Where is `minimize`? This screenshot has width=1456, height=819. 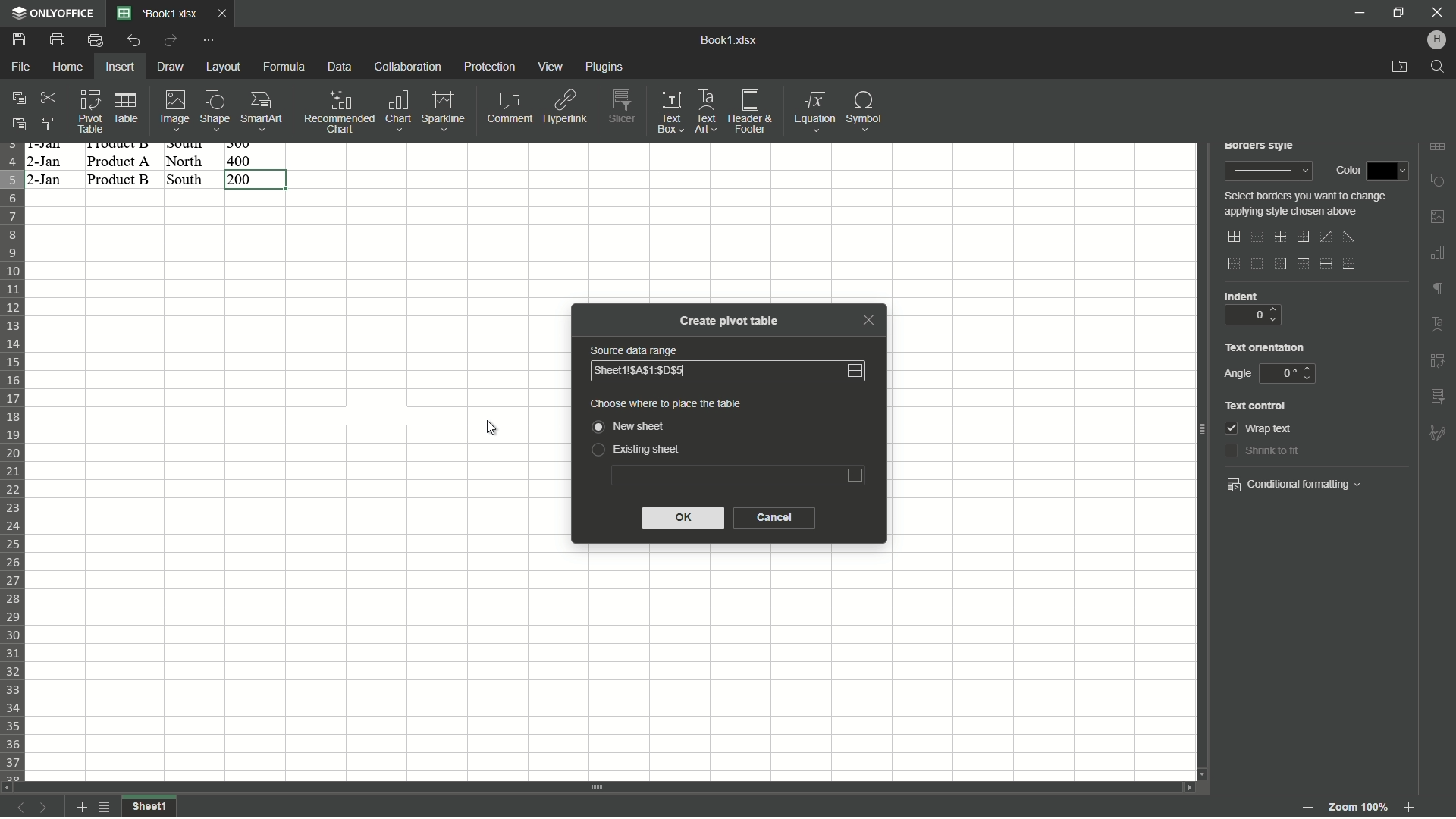 minimize is located at coordinates (1359, 13).